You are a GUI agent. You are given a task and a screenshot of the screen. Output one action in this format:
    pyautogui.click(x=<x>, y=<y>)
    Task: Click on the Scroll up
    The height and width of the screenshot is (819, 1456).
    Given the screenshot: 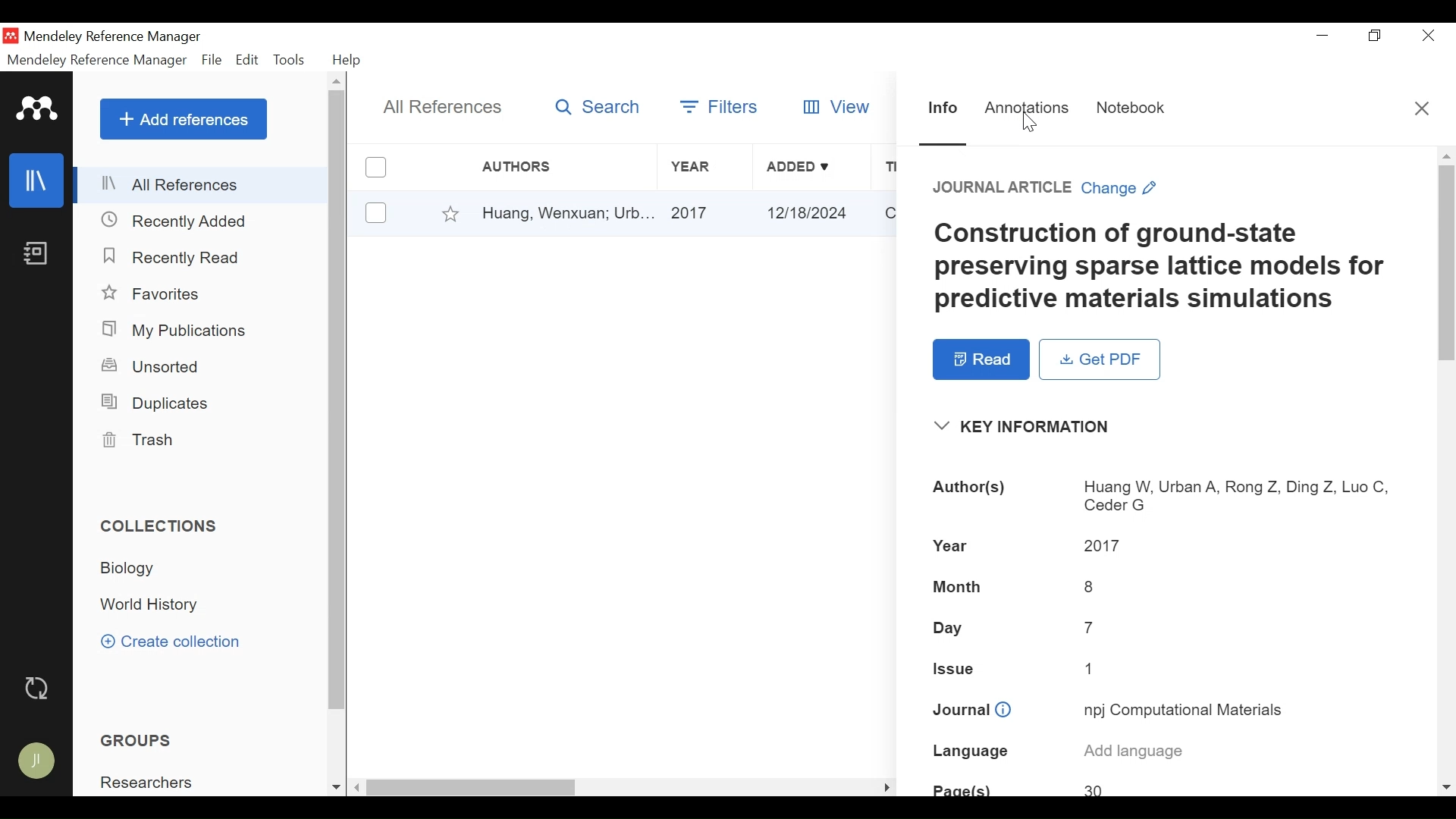 What is the action you would take?
    pyautogui.click(x=339, y=80)
    